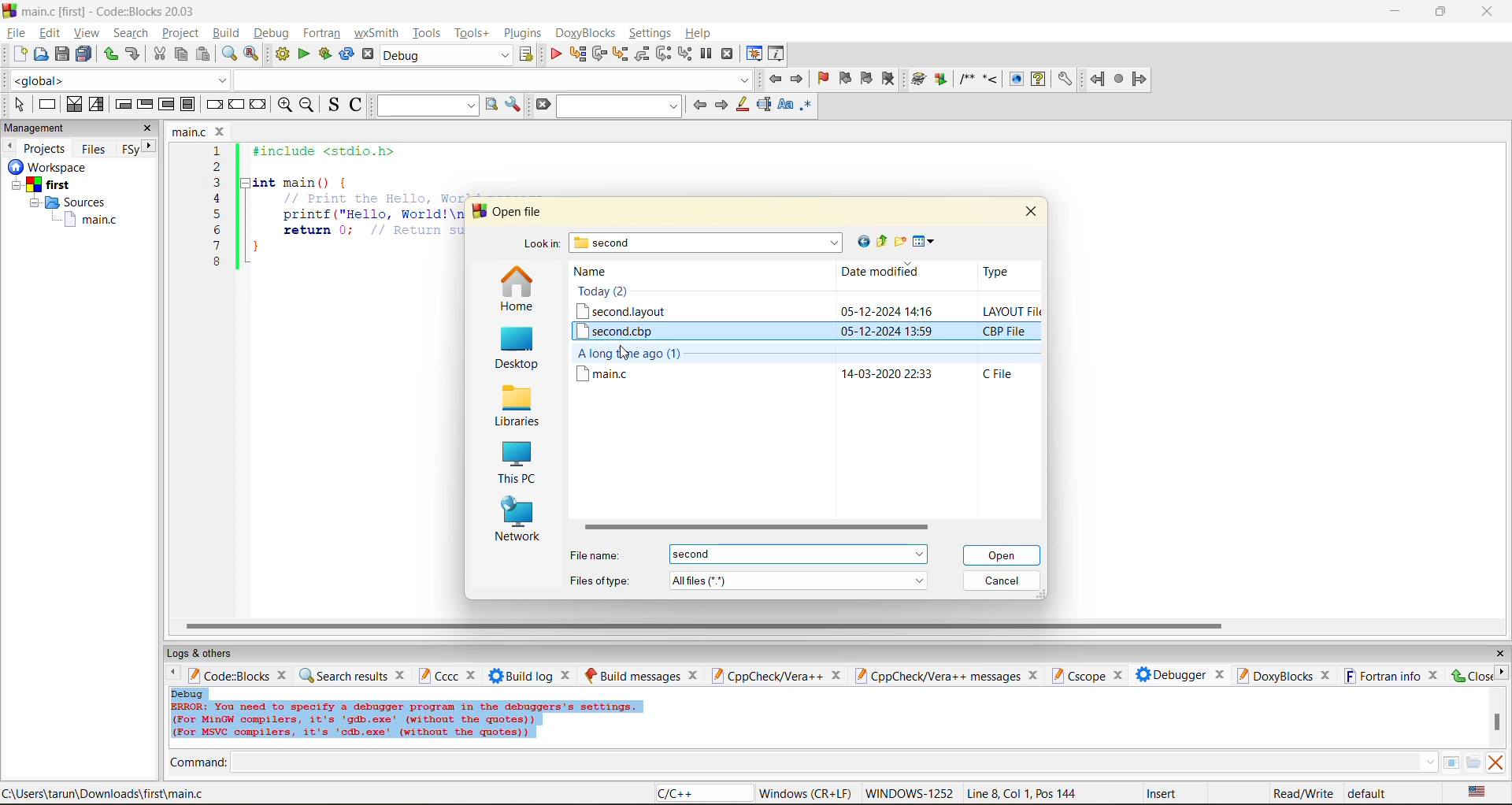 The image size is (1512, 805). I want to click on 1, so click(219, 151).